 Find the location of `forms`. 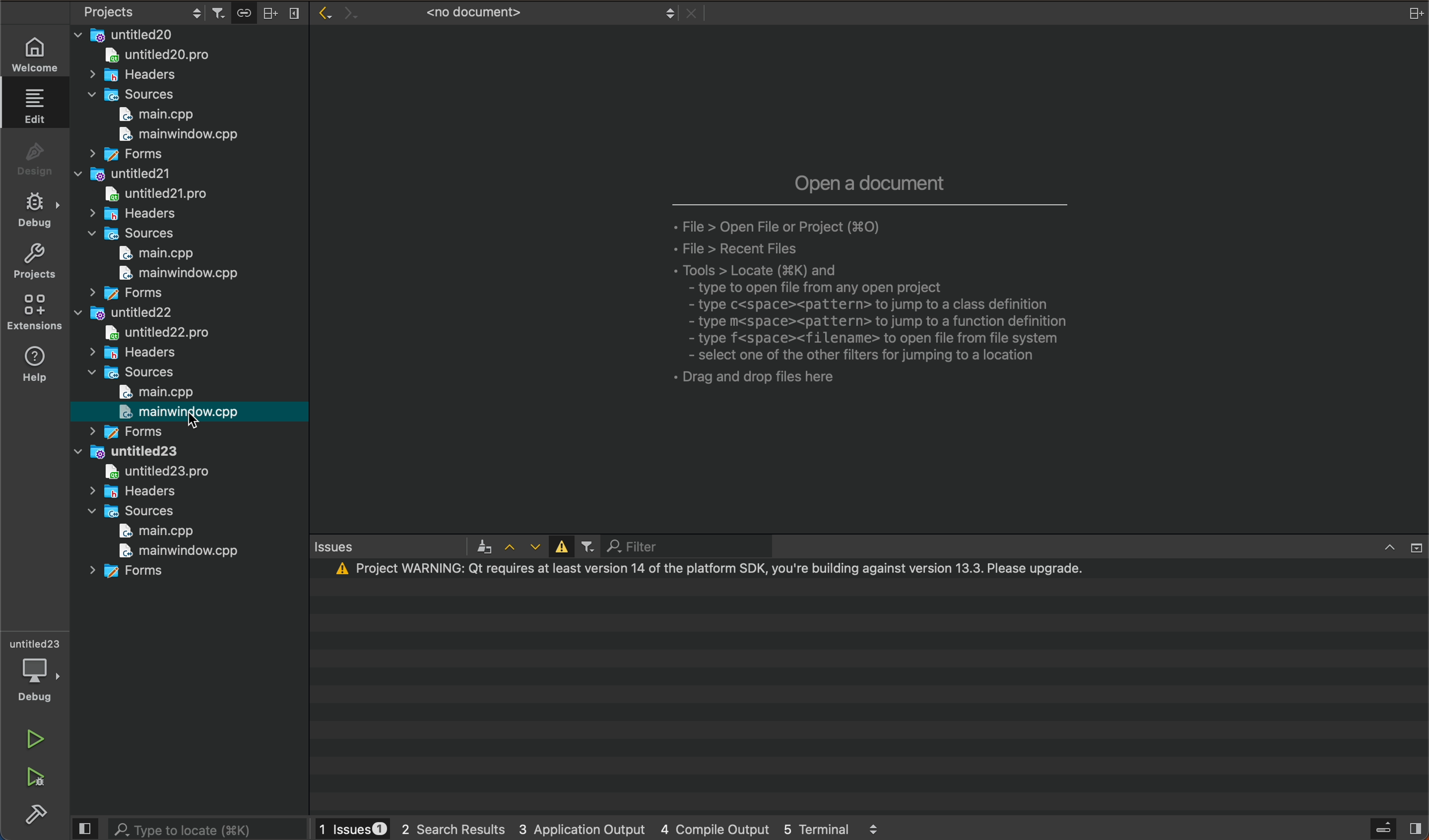

forms is located at coordinates (133, 574).